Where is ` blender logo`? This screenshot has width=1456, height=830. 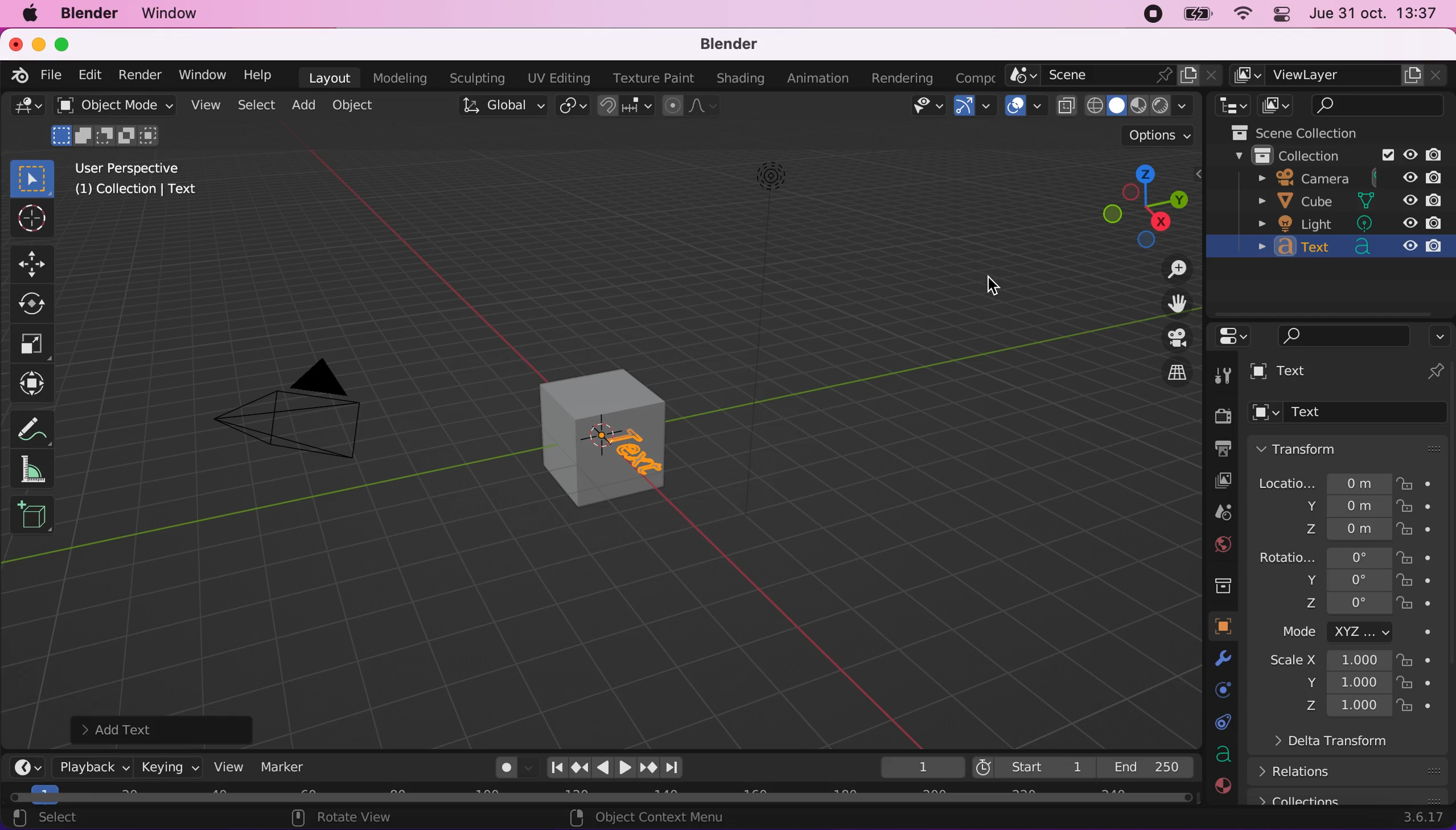  blender logo is located at coordinates (19, 76).